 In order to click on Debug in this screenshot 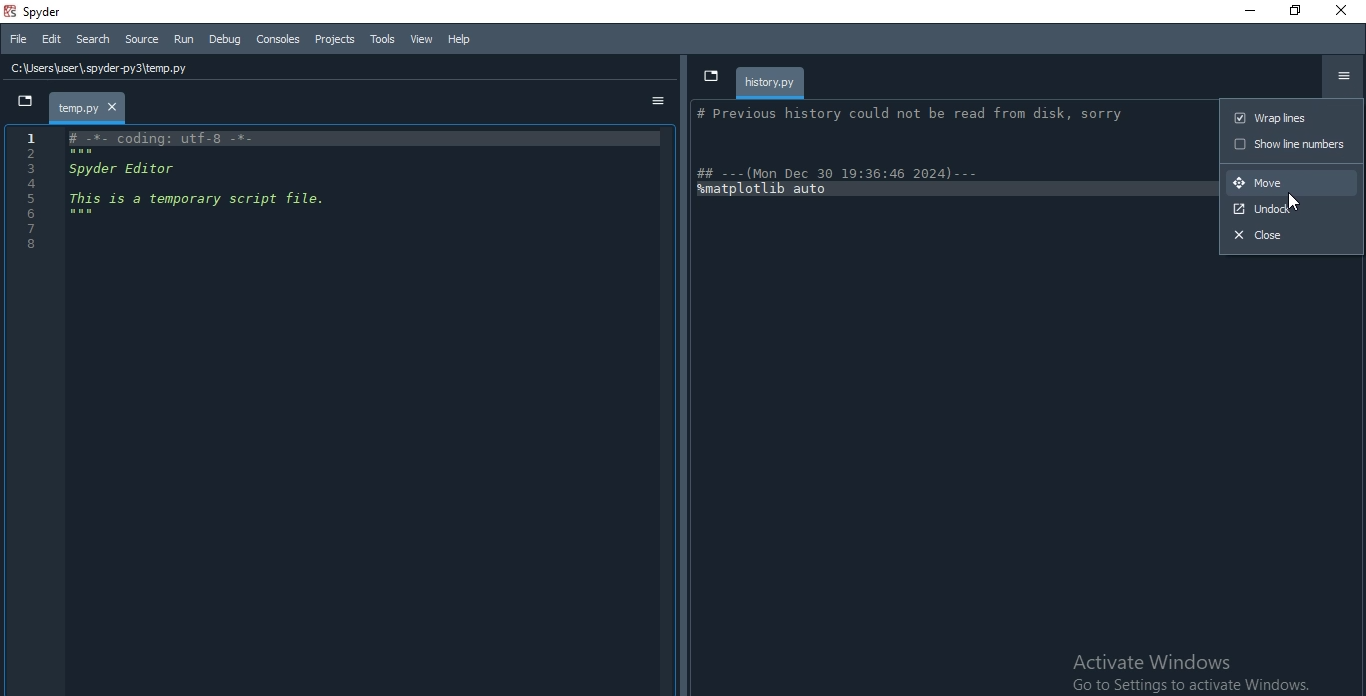, I will do `click(225, 39)`.